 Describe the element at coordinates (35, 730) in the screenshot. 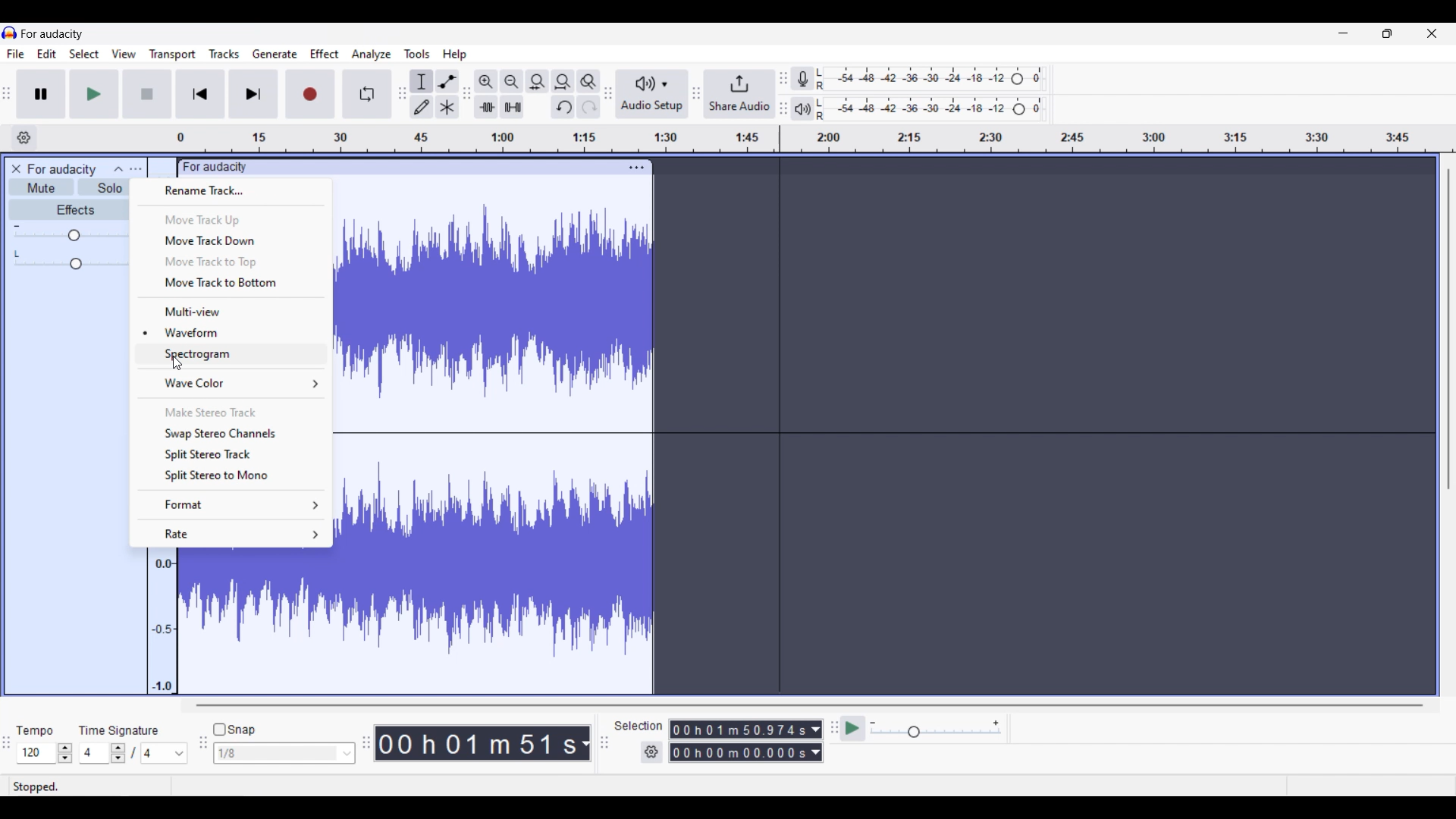

I see `Indicates tempo settings` at that location.